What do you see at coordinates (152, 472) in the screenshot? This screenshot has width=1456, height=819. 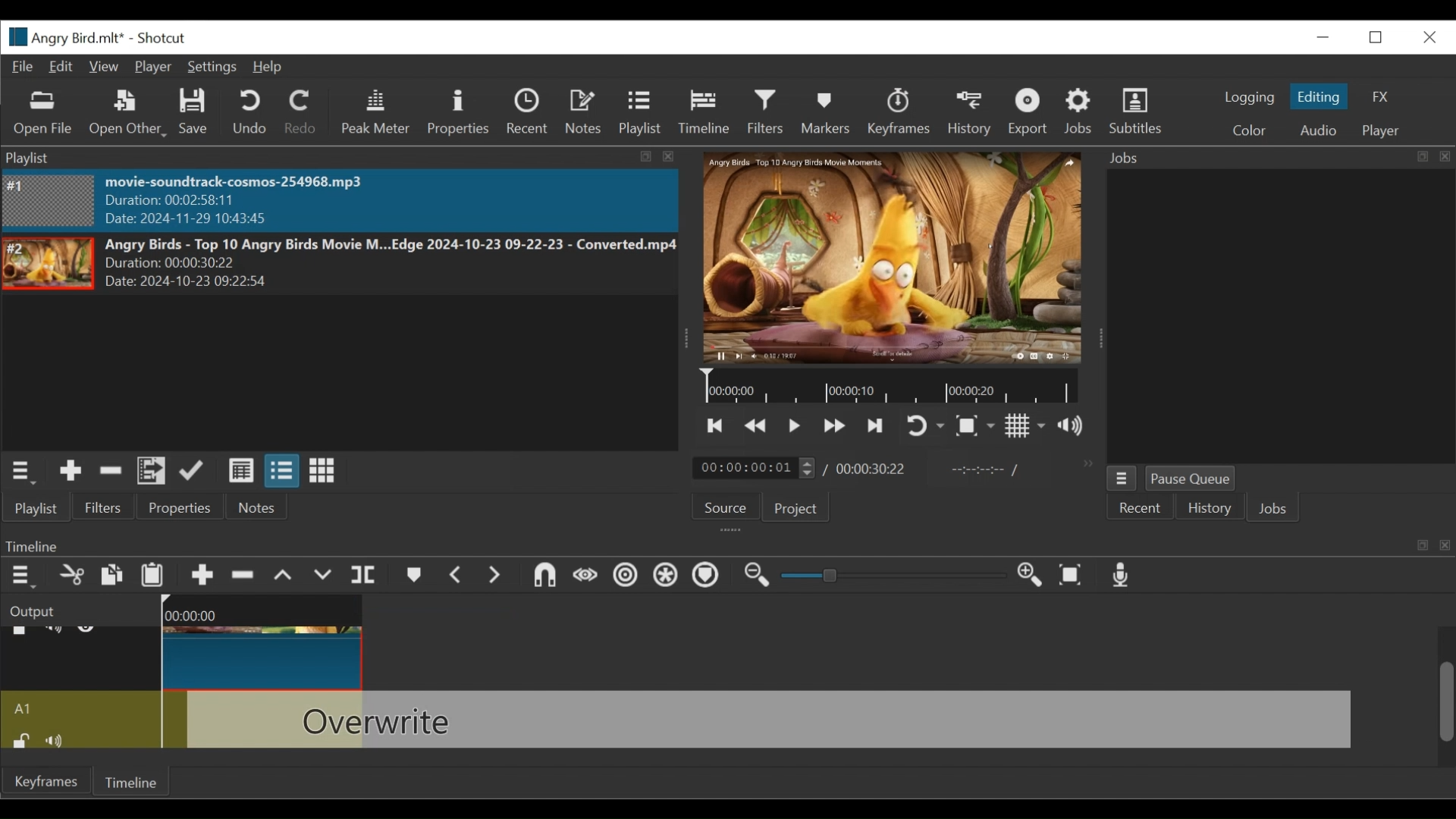 I see `Add files to the playlist` at bounding box center [152, 472].